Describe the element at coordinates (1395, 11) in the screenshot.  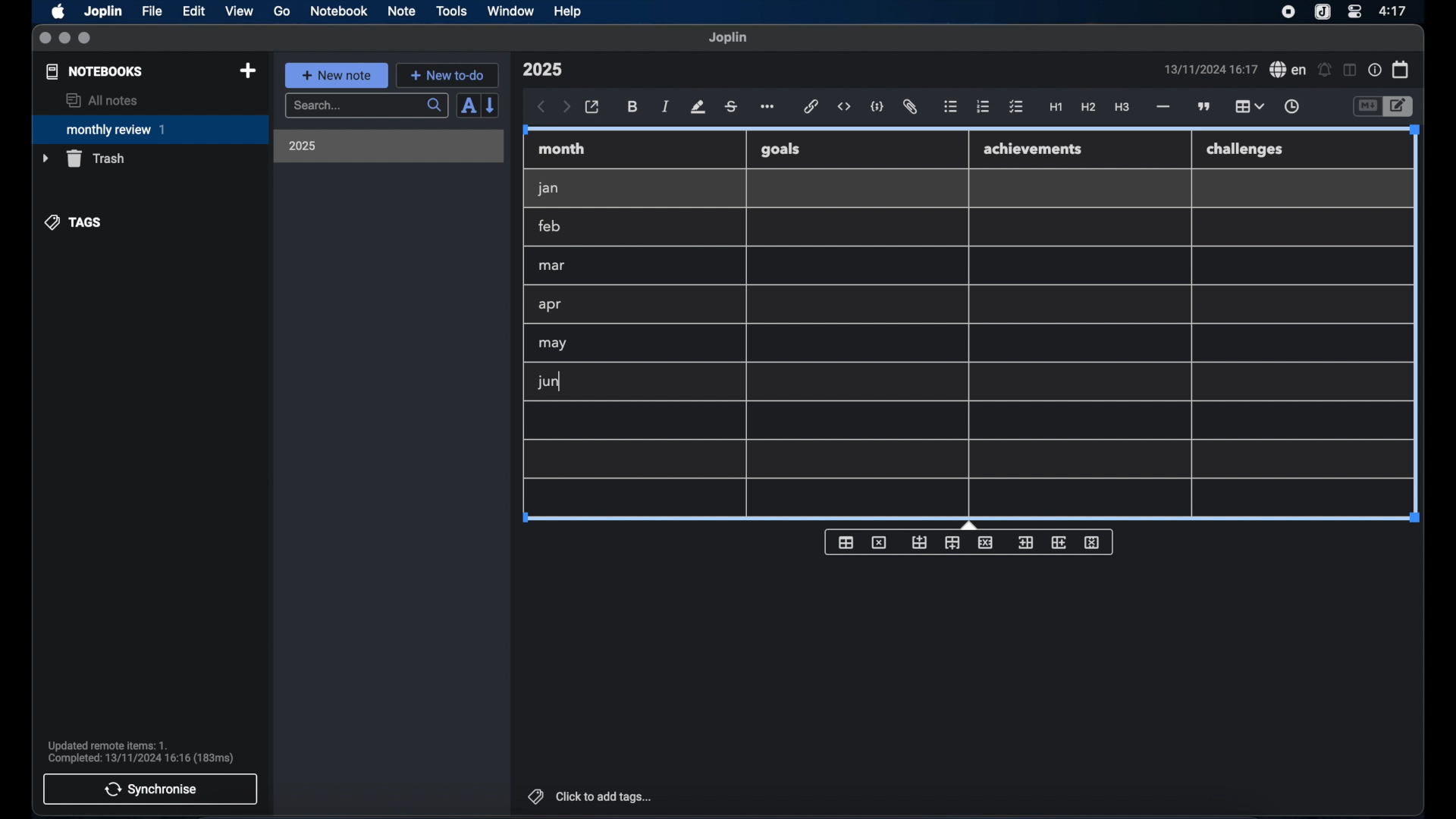
I see `time` at that location.